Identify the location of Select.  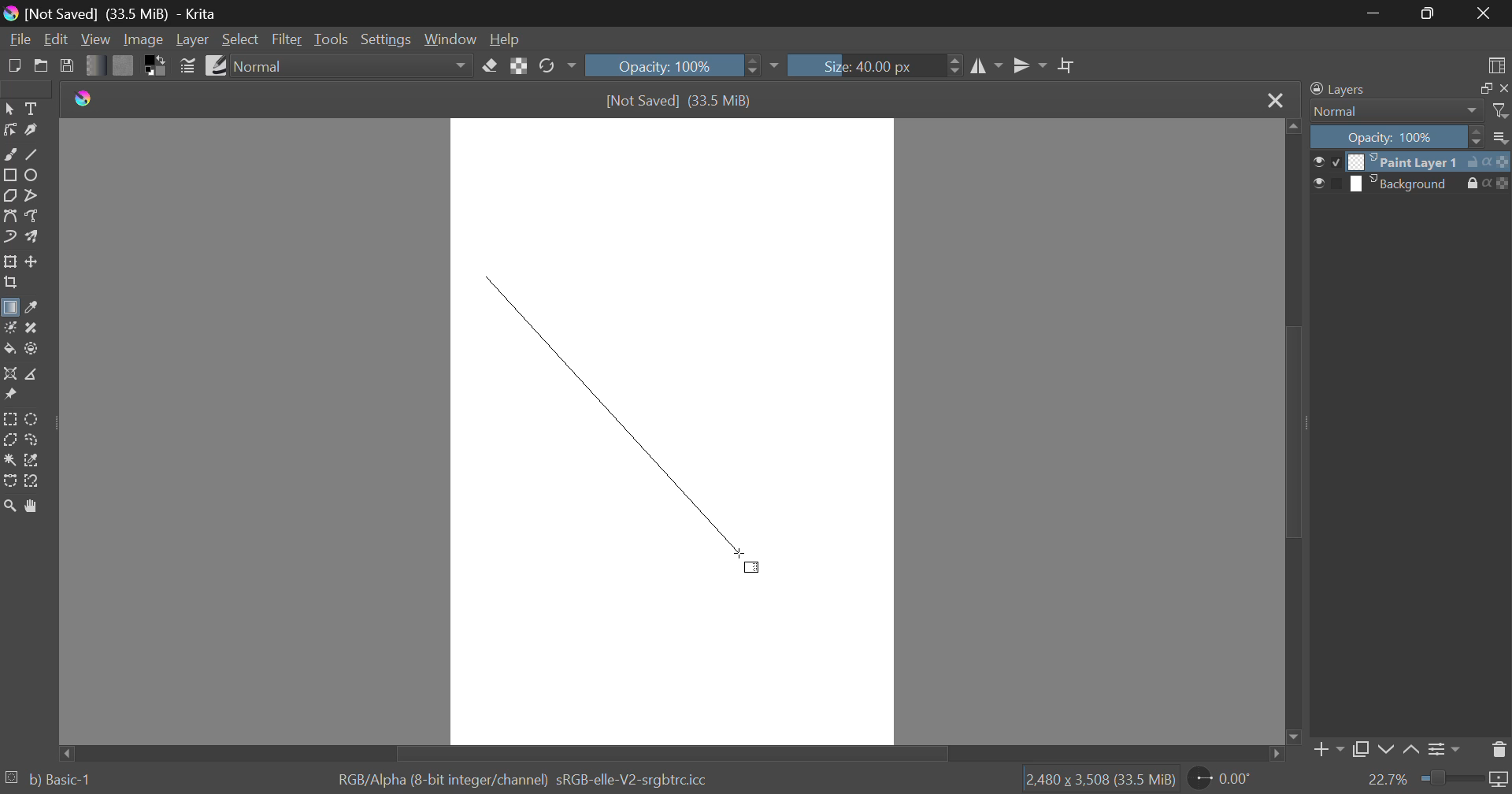
(9, 107).